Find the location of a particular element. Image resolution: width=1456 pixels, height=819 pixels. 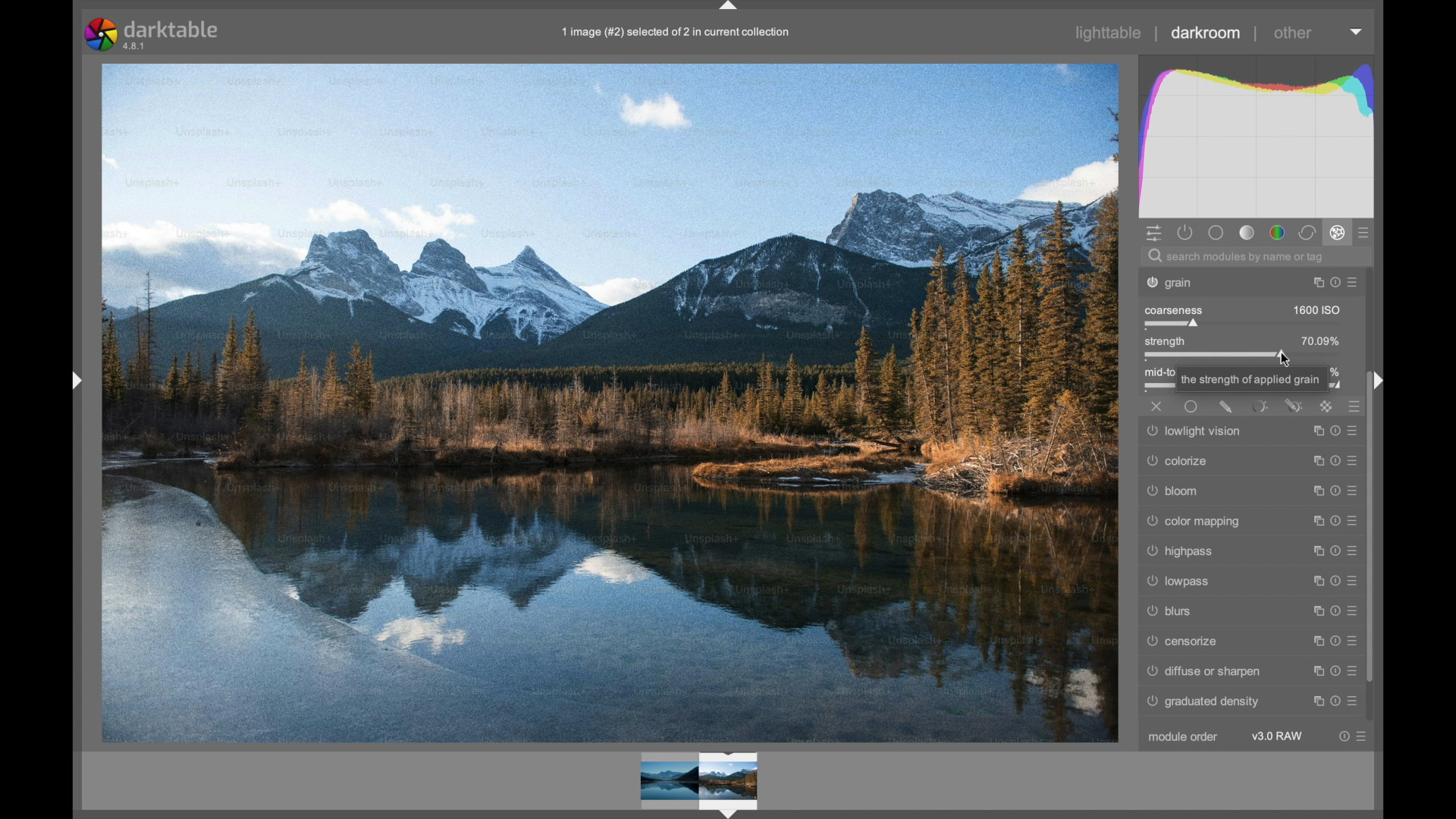

instance is located at coordinates (1313, 611).